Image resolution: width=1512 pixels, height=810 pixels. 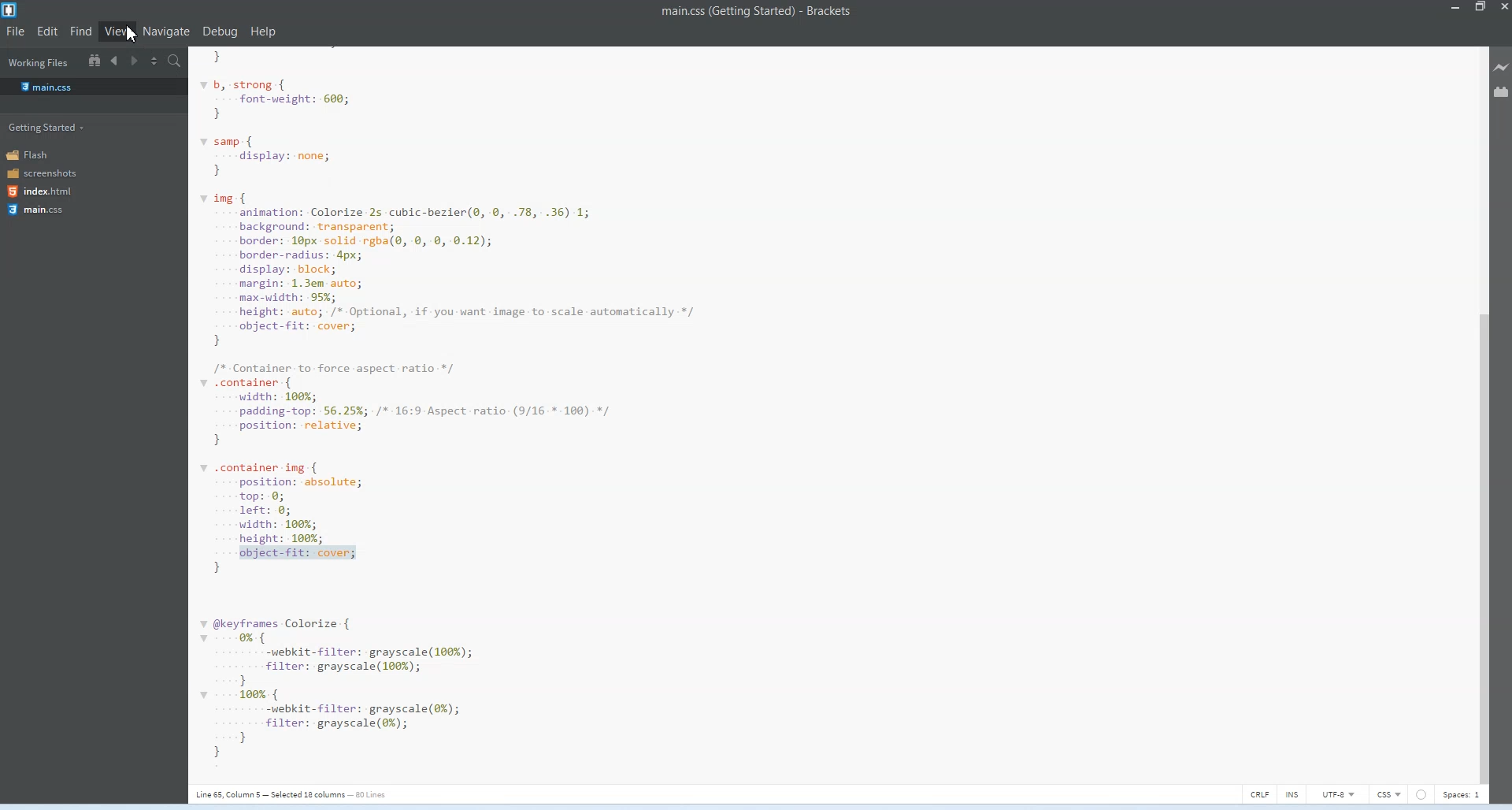 What do you see at coordinates (133, 61) in the screenshot?
I see `Navigate Forwards` at bounding box center [133, 61].